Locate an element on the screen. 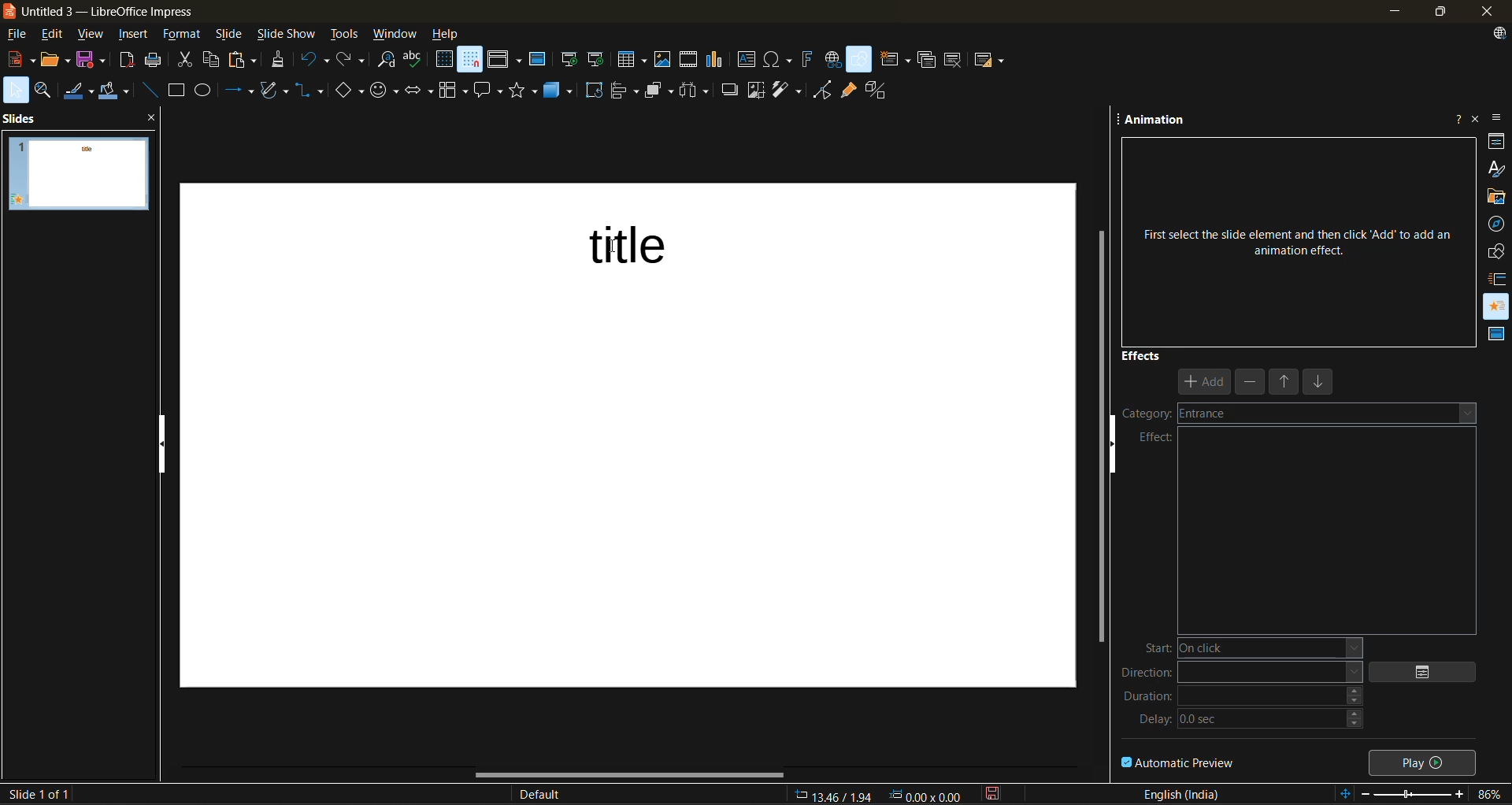 The height and width of the screenshot is (805, 1512). select is located at coordinates (16, 89).